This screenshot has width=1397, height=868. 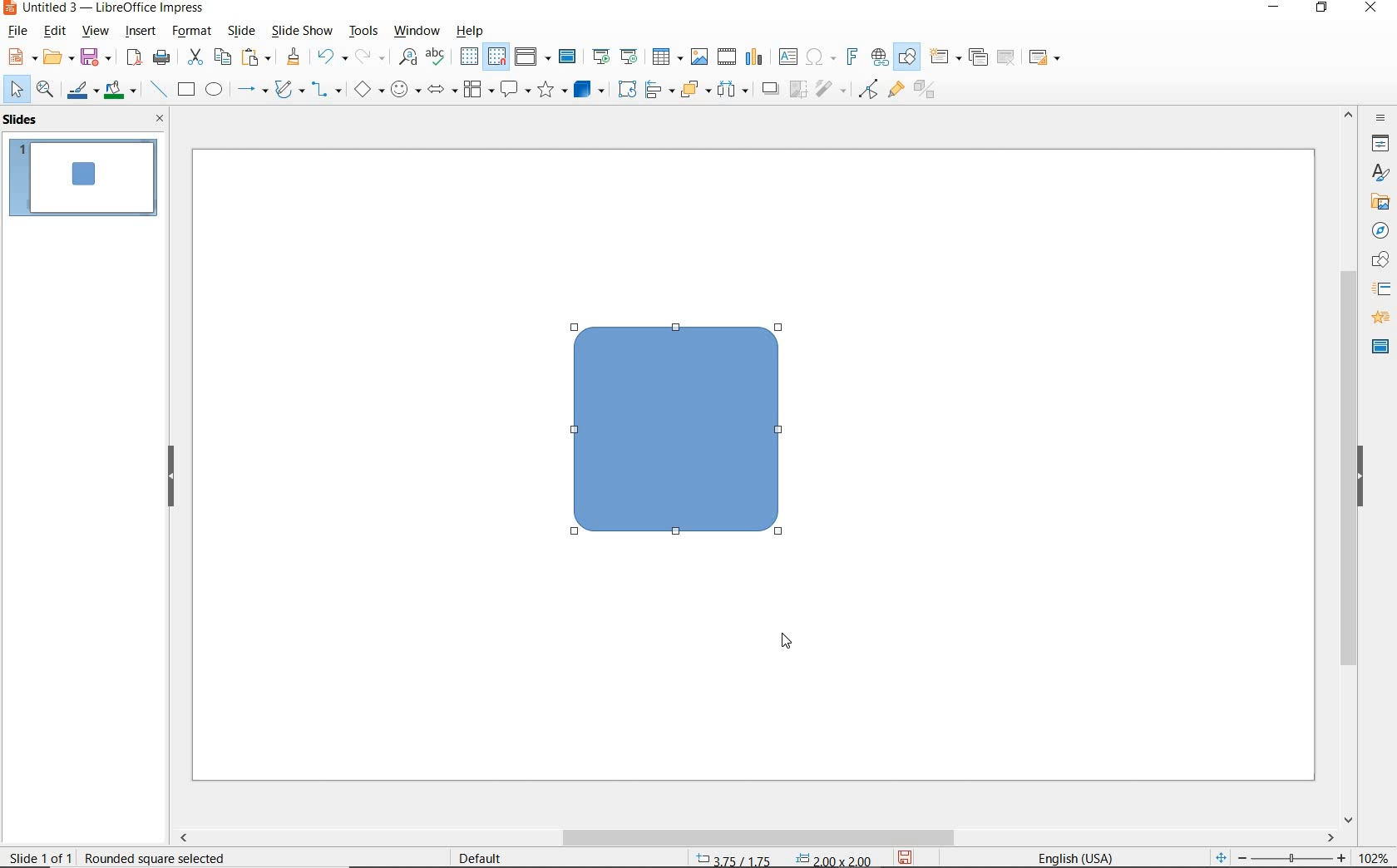 I want to click on start from current slide, so click(x=630, y=57).